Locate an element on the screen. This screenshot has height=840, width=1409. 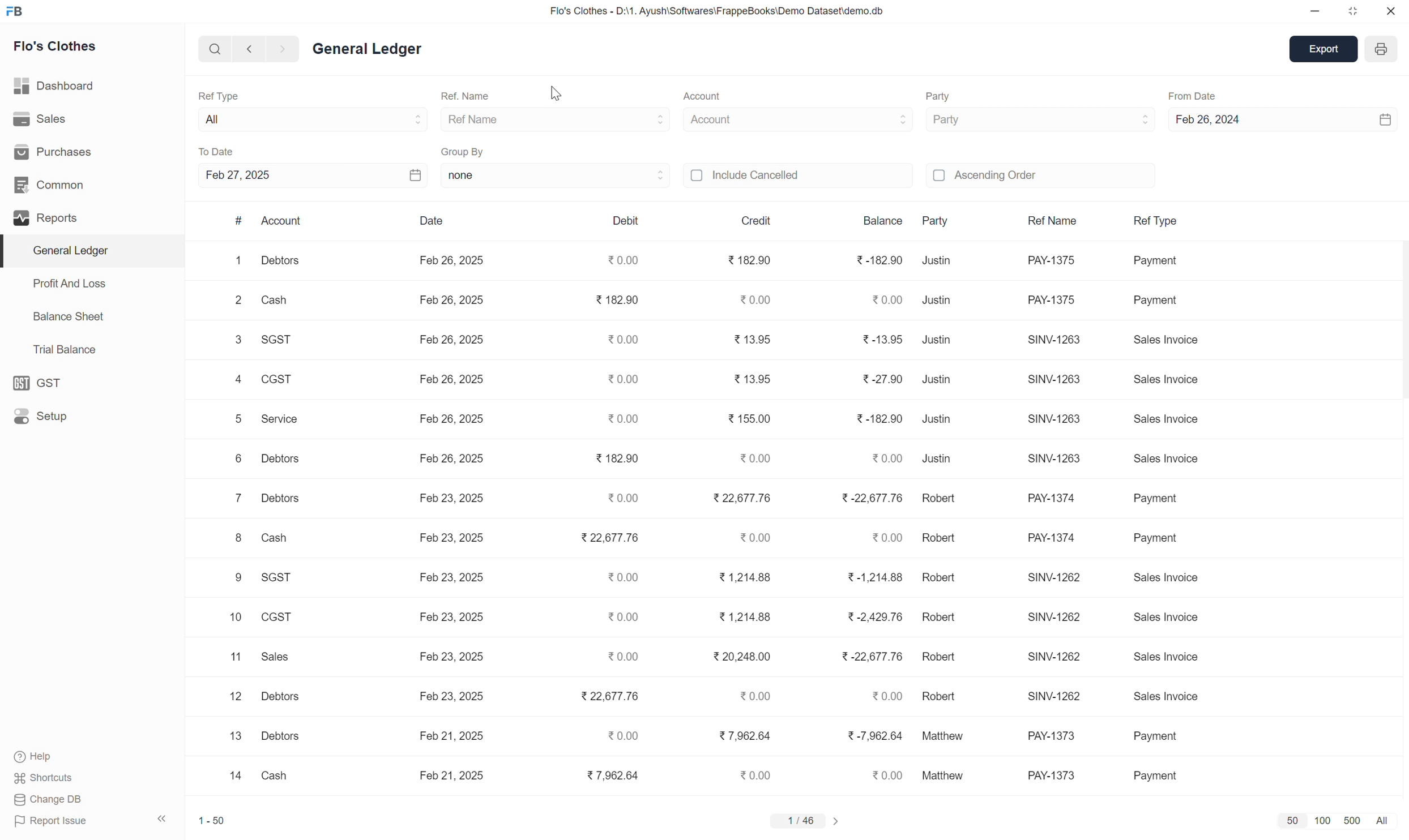
all is located at coordinates (311, 118).